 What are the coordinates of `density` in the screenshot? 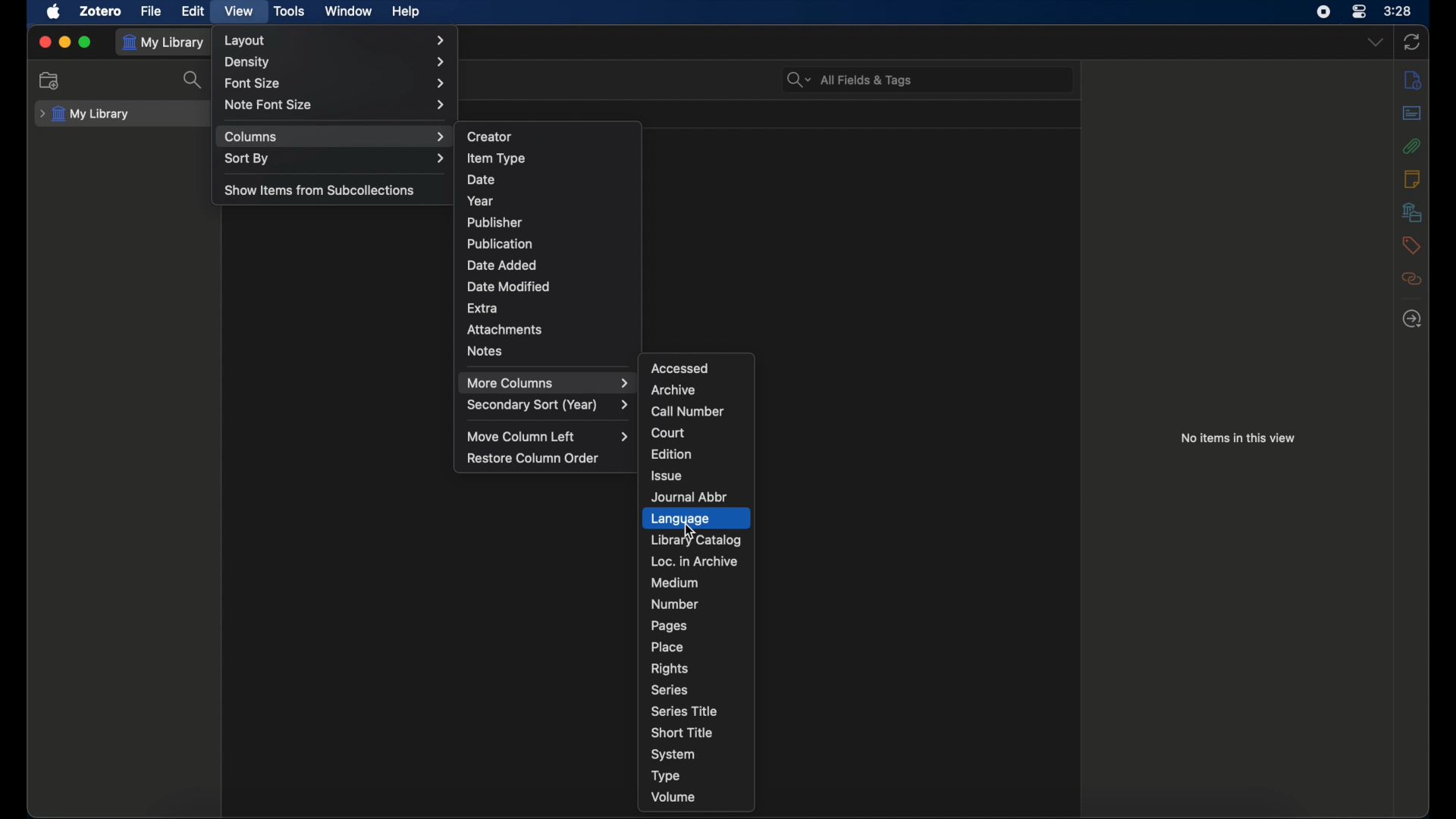 It's located at (335, 63).